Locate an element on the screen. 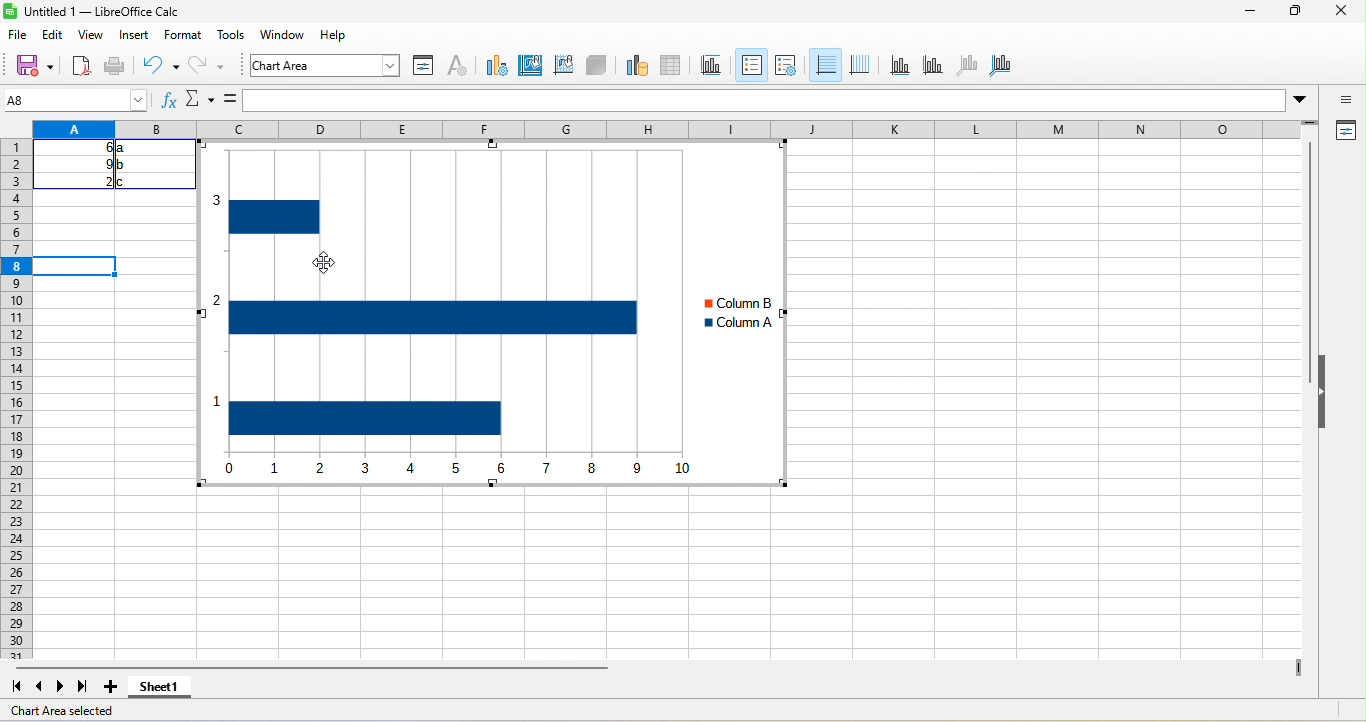 Image resolution: width=1366 pixels, height=722 pixels. z axis is located at coordinates (964, 66).